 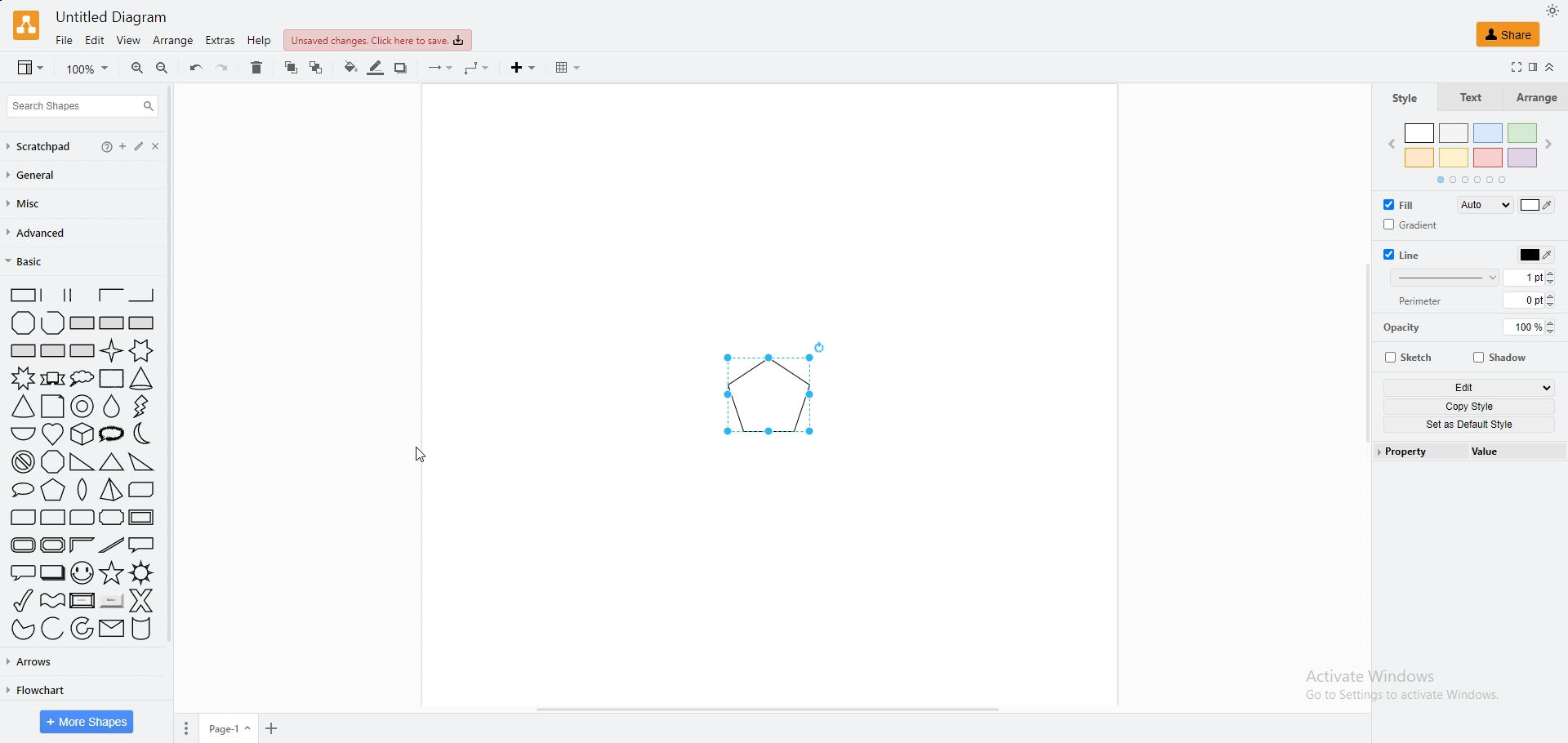 What do you see at coordinates (83, 434) in the screenshot?
I see `isometric cube` at bounding box center [83, 434].